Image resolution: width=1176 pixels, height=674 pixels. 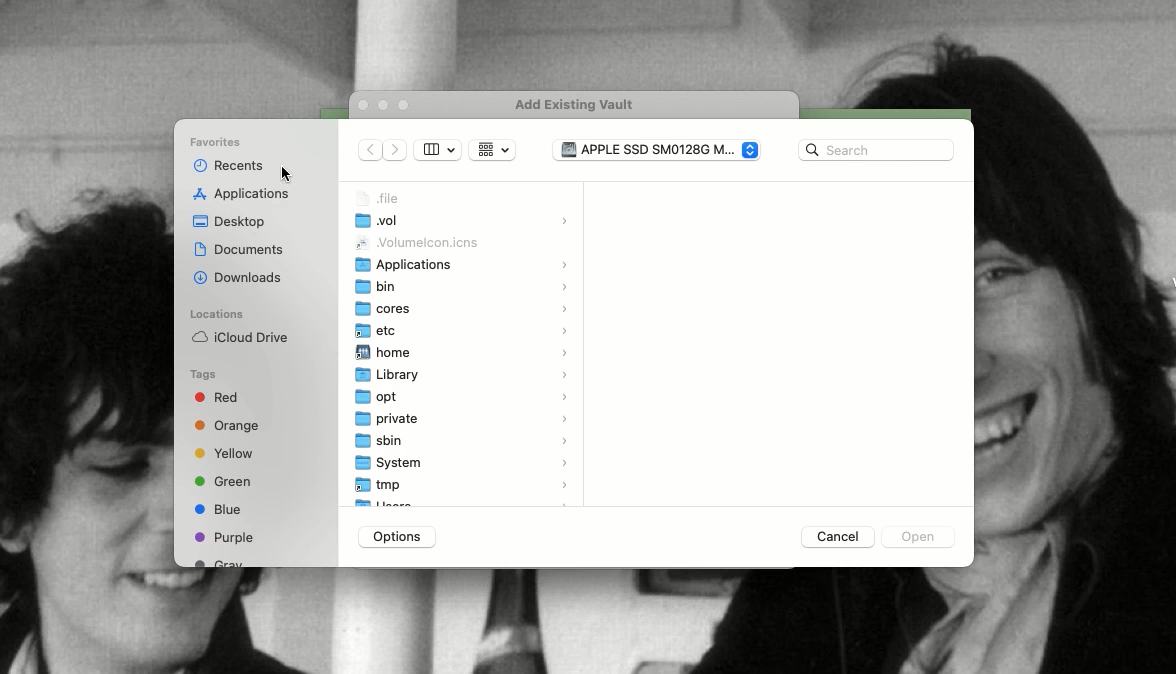 I want to click on .file, so click(x=382, y=198).